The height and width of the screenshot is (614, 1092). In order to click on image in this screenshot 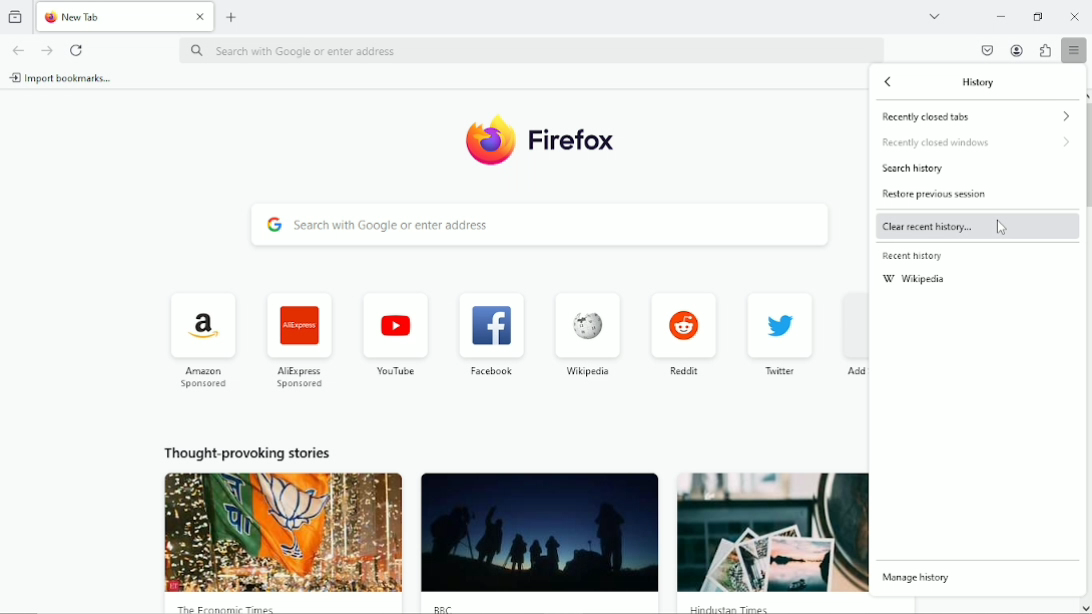, I will do `click(539, 532)`.